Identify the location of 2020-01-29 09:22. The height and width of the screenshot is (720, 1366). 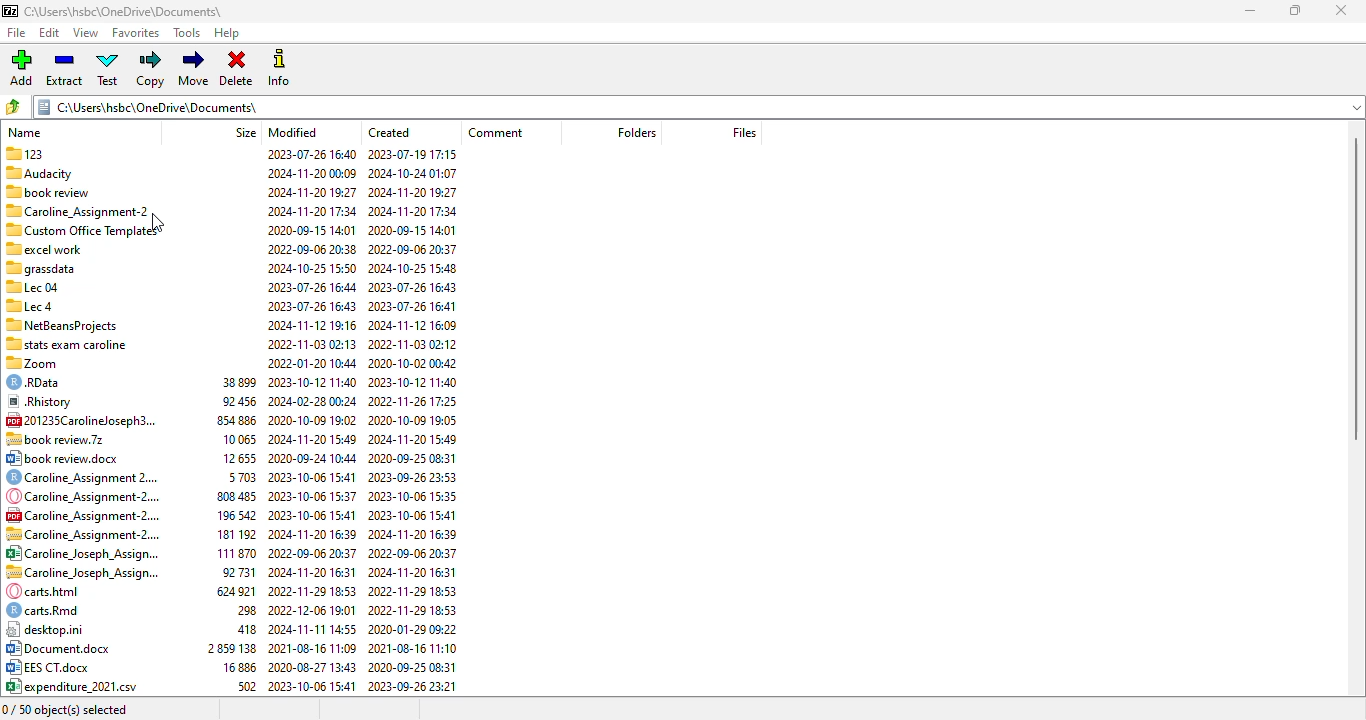
(415, 629).